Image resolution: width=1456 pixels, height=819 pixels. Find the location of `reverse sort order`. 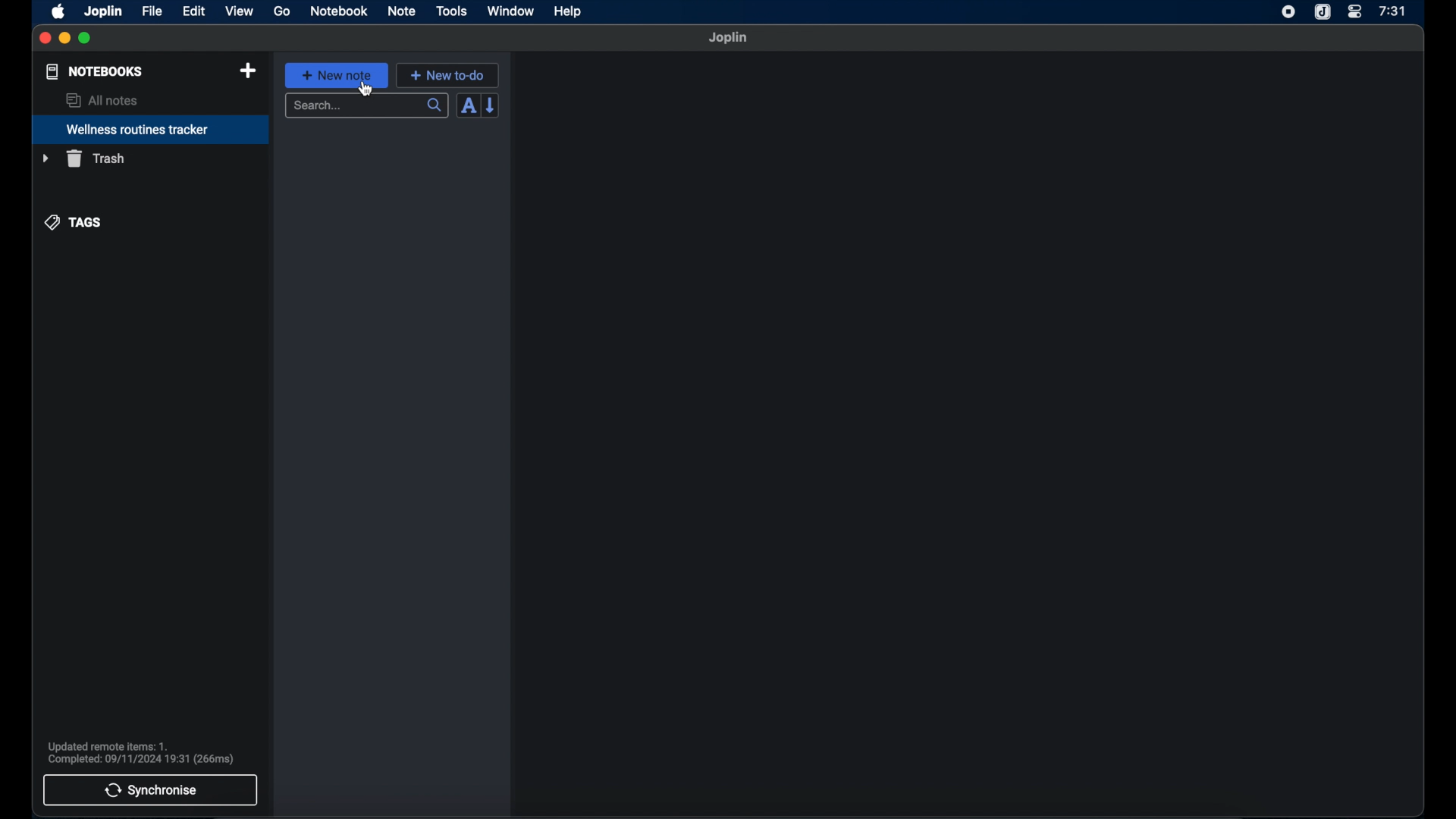

reverse sort order is located at coordinates (491, 105).